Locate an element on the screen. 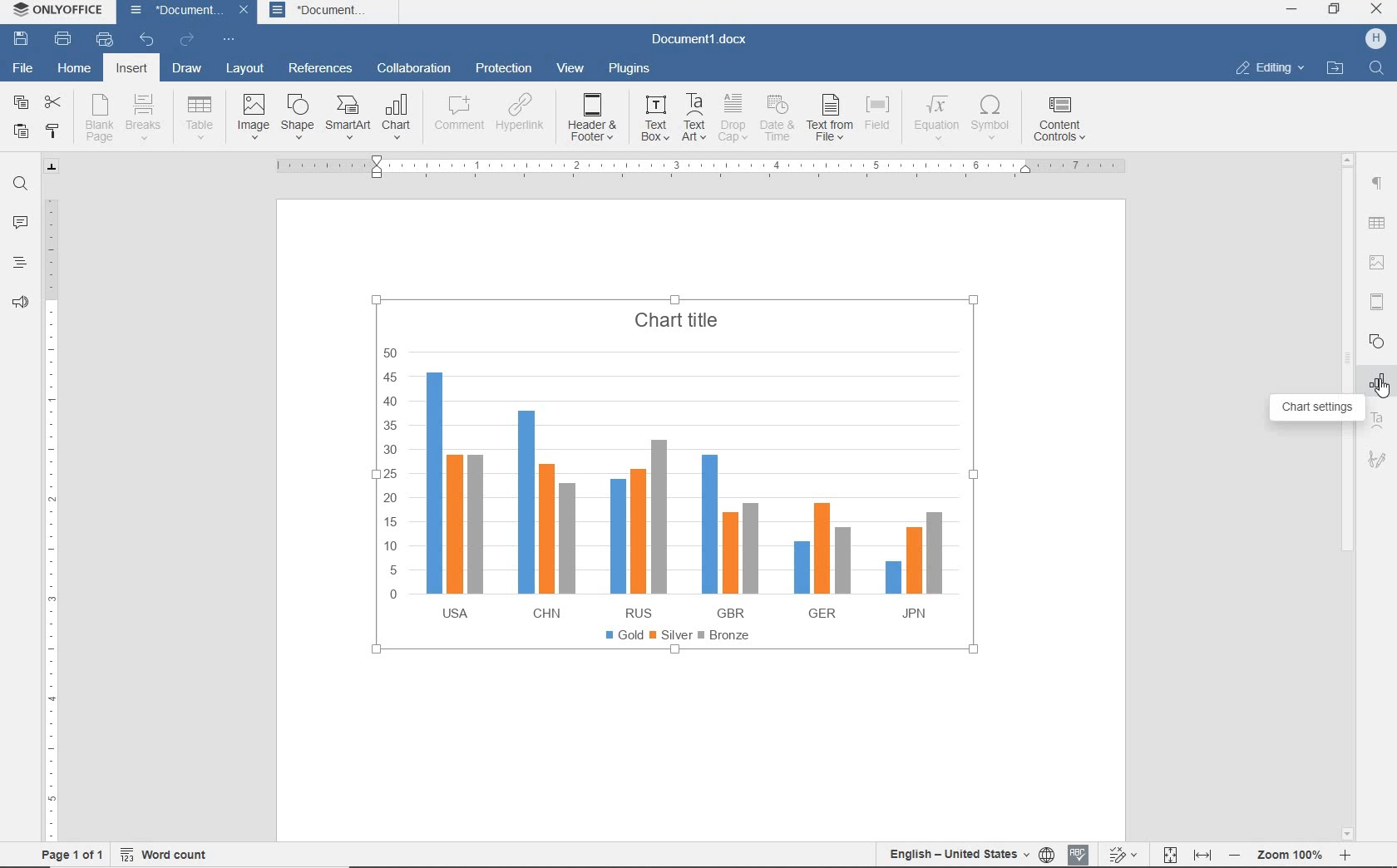 The height and width of the screenshot is (868, 1397). close is located at coordinates (246, 12).